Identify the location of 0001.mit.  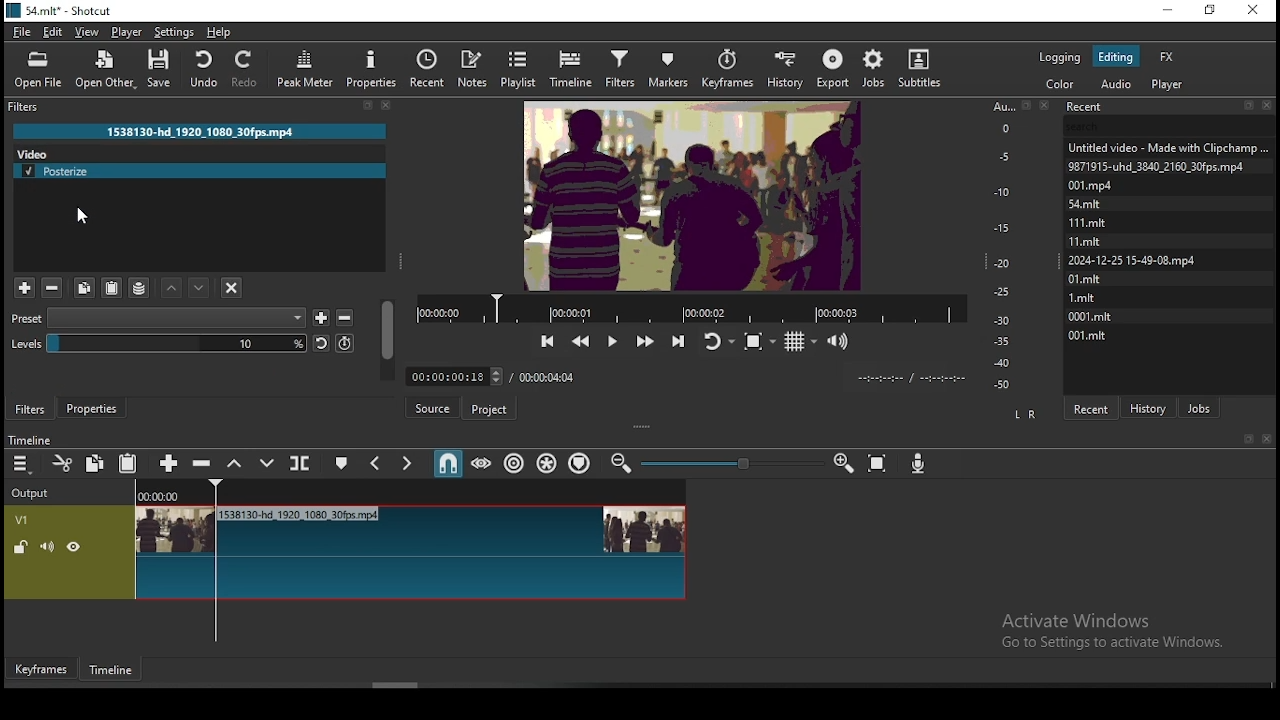
(1094, 315).